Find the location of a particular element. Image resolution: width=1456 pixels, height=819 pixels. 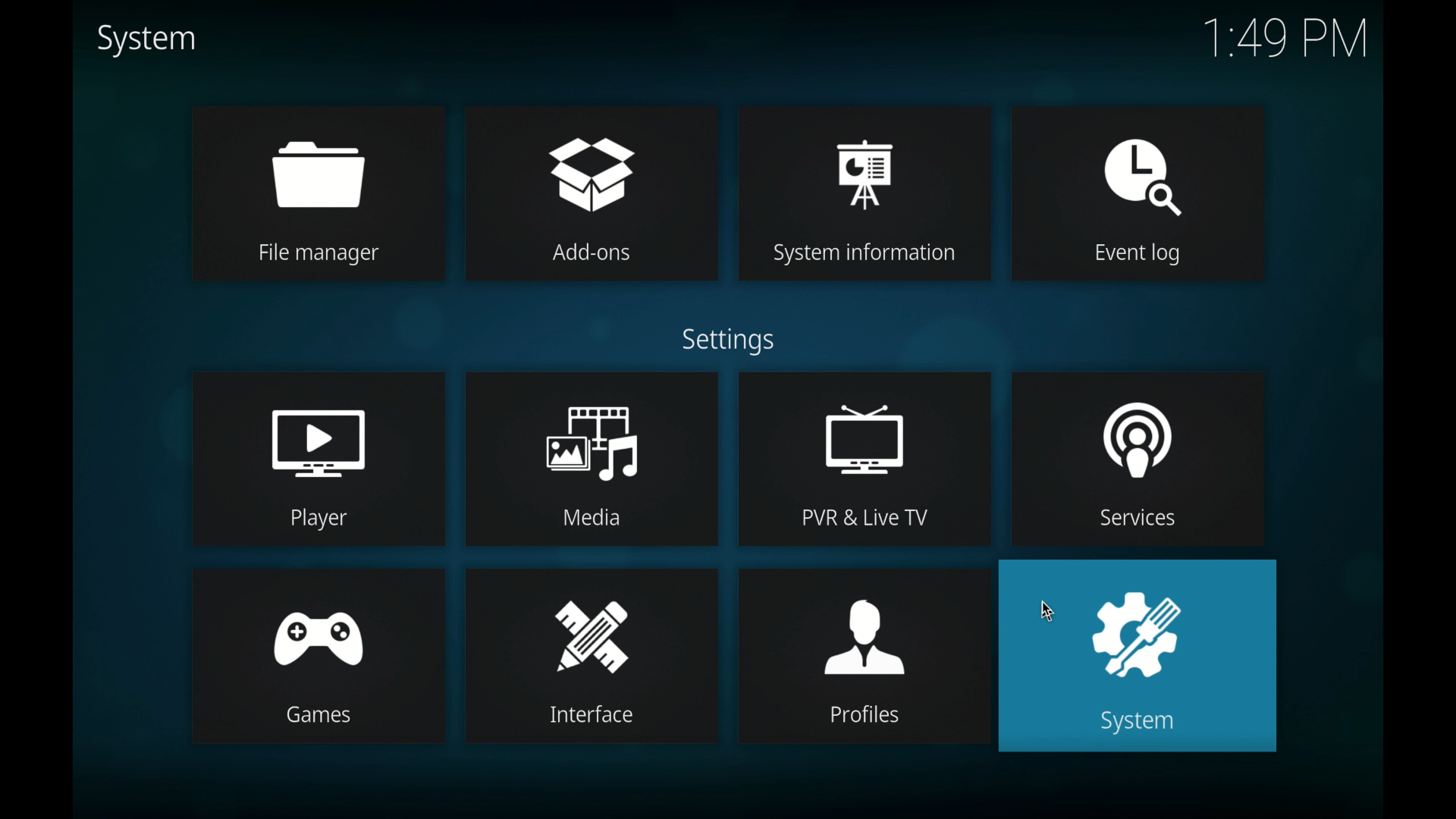

interface is located at coordinates (592, 656).